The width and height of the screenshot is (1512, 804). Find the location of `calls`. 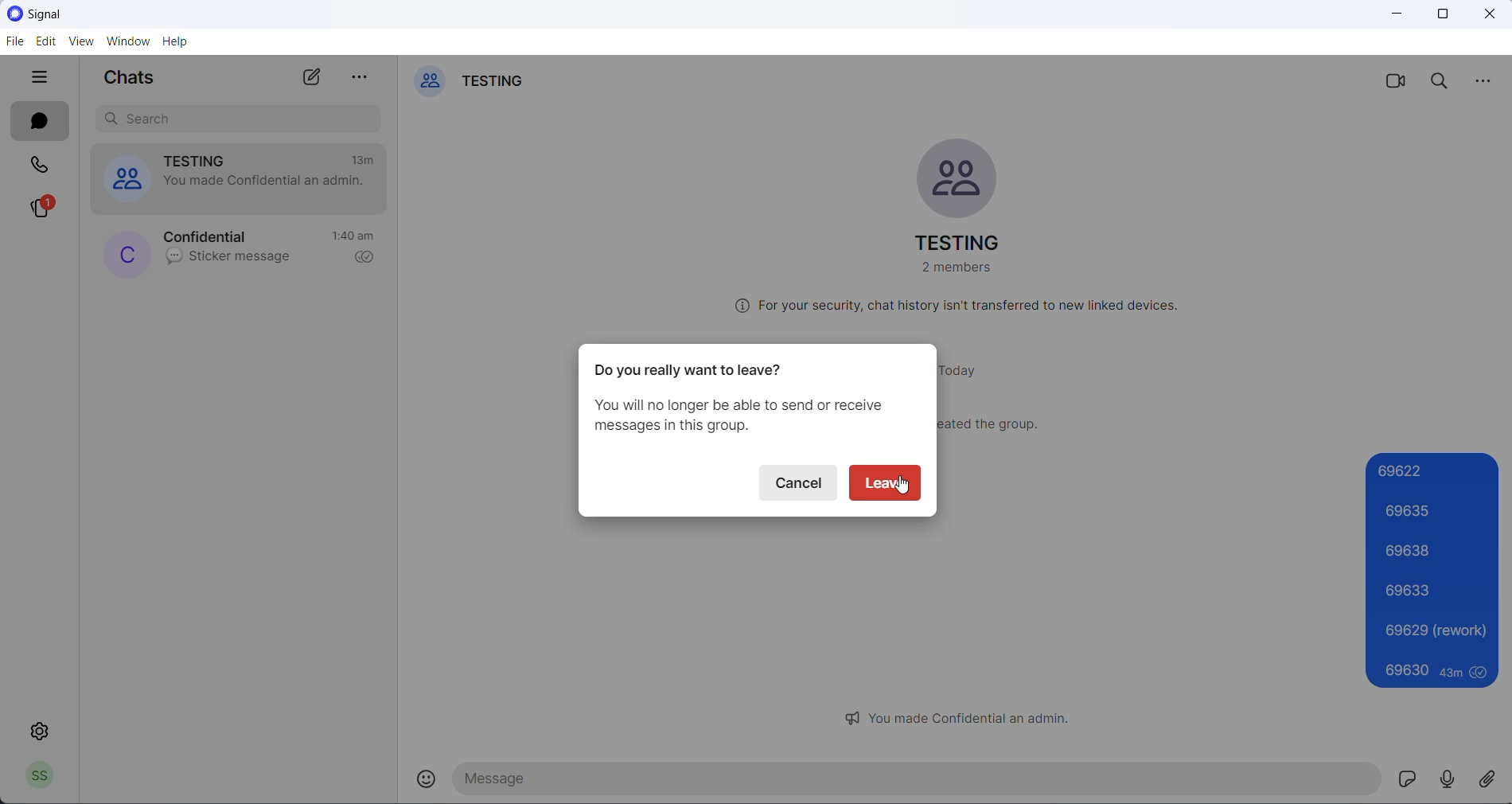

calls is located at coordinates (41, 168).